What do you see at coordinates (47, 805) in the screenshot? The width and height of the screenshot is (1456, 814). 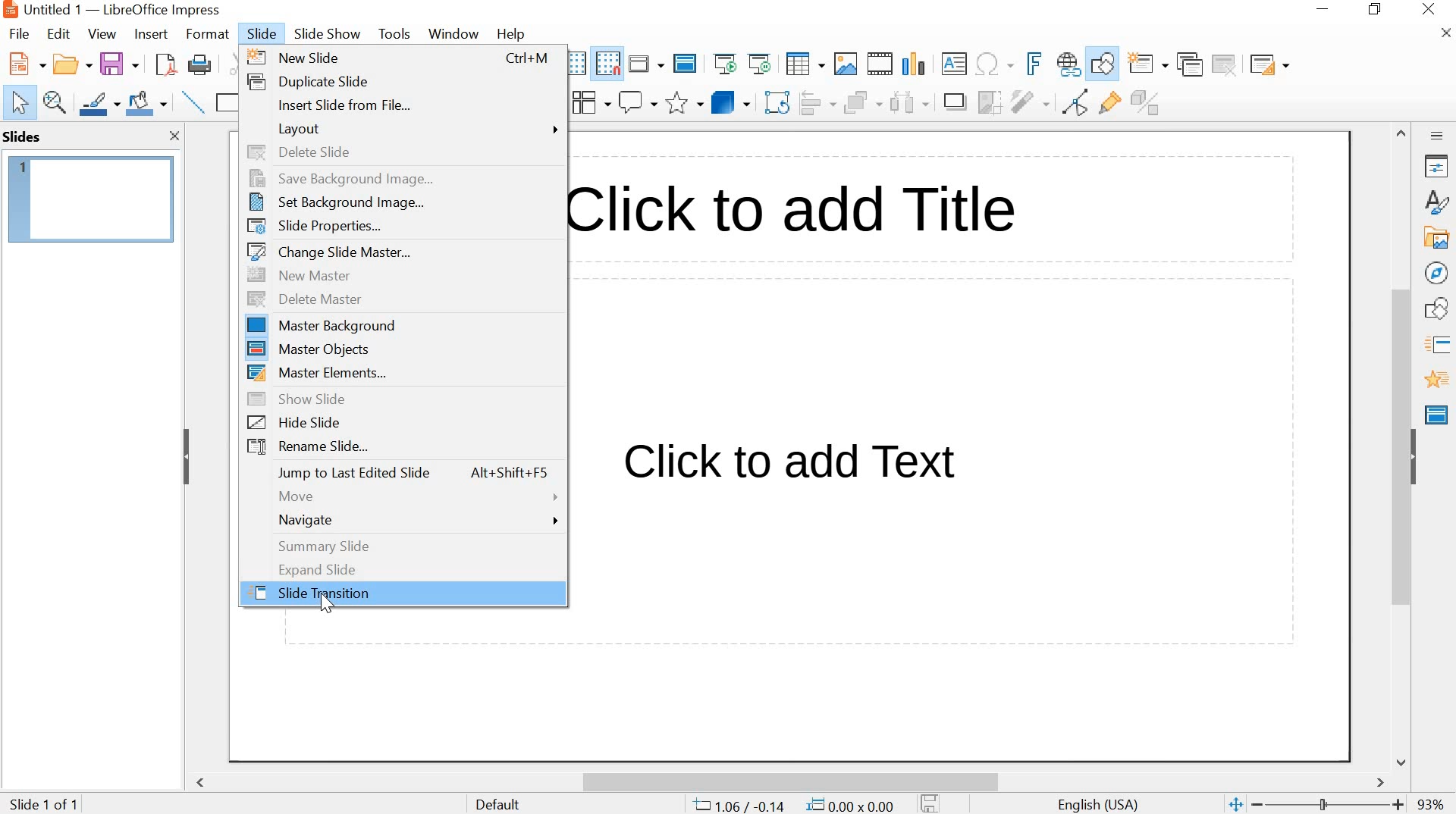 I see `SLIDE 1 OF 1` at bounding box center [47, 805].